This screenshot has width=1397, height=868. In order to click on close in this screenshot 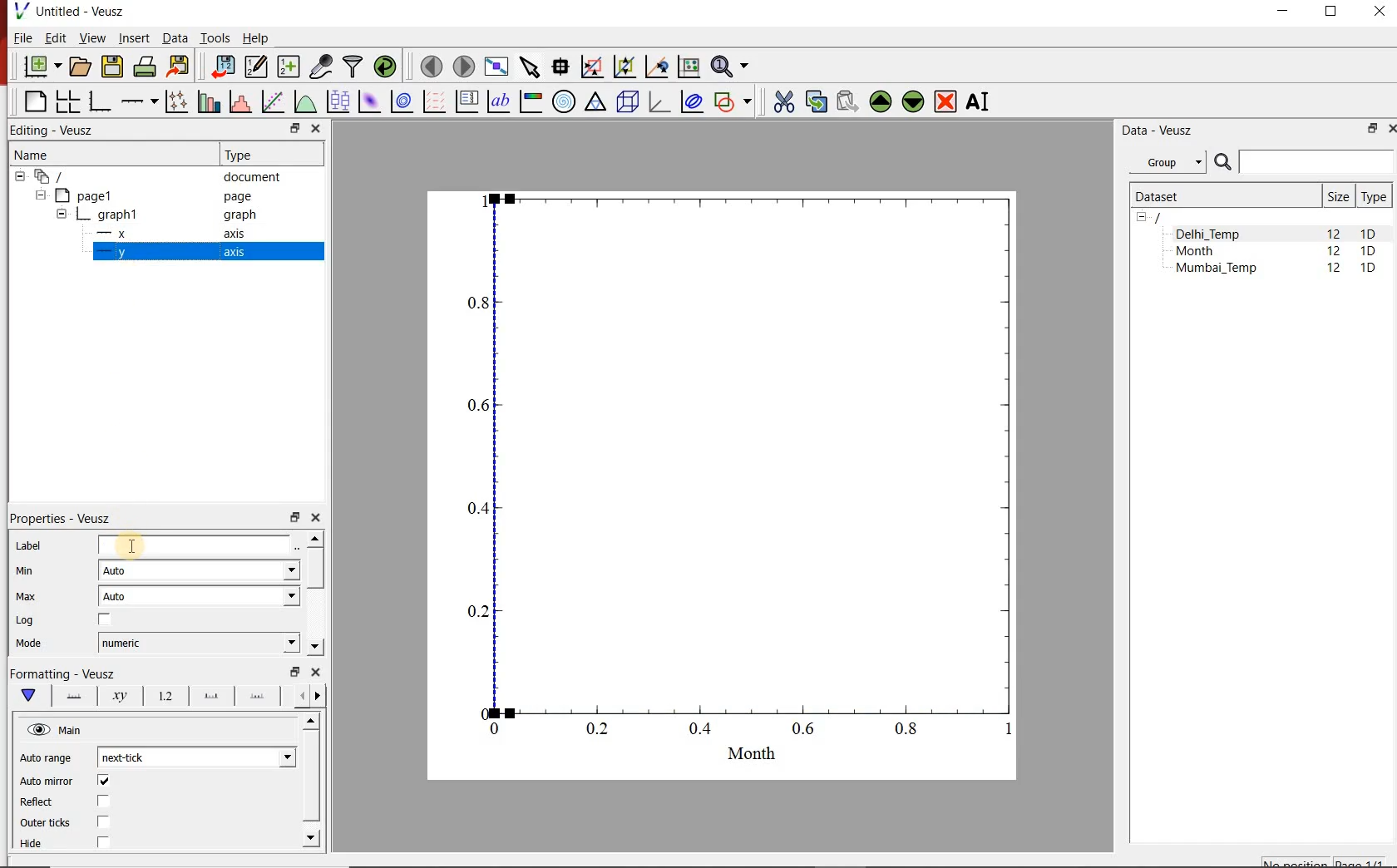, I will do `click(314, 518)`.